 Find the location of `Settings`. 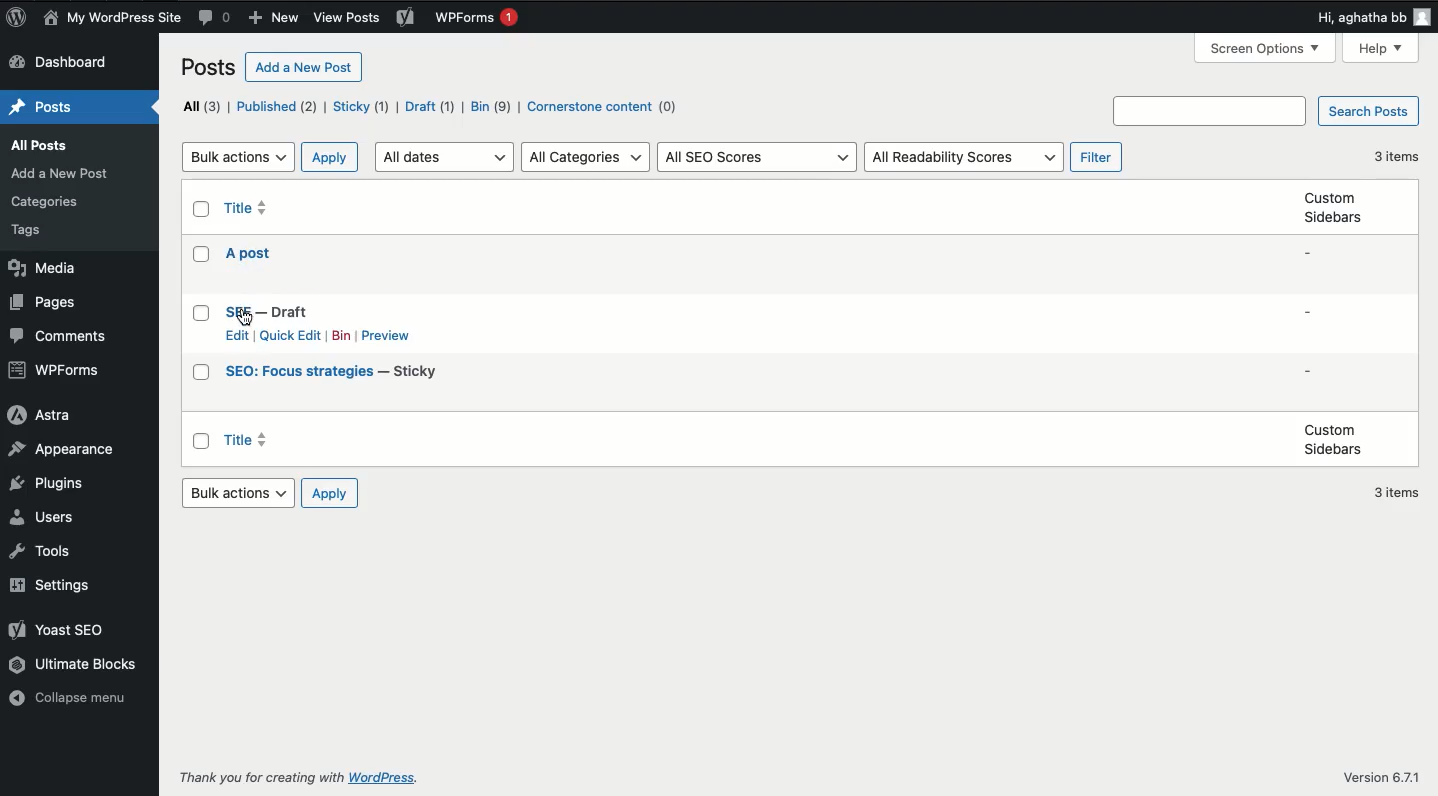

Settings is located at coordinates (52, 586).